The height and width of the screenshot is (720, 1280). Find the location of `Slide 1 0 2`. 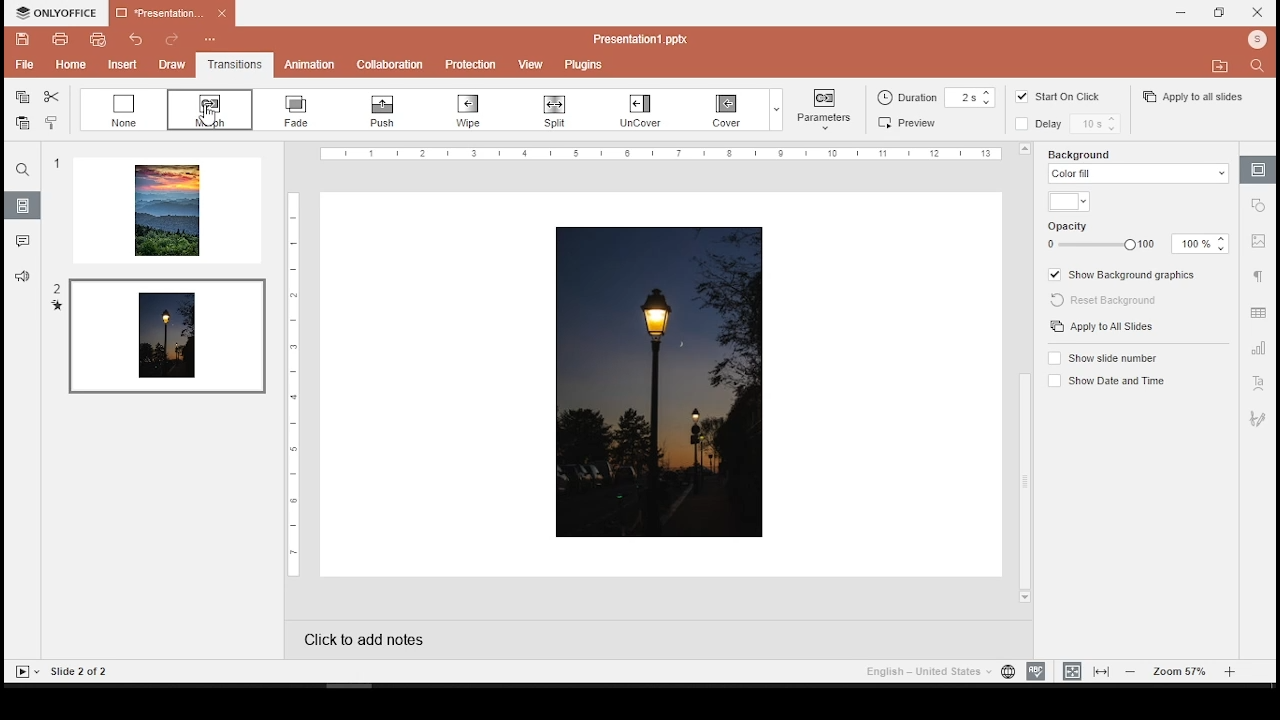

Slide 1 0 2 is located at coordinates (91, 670).